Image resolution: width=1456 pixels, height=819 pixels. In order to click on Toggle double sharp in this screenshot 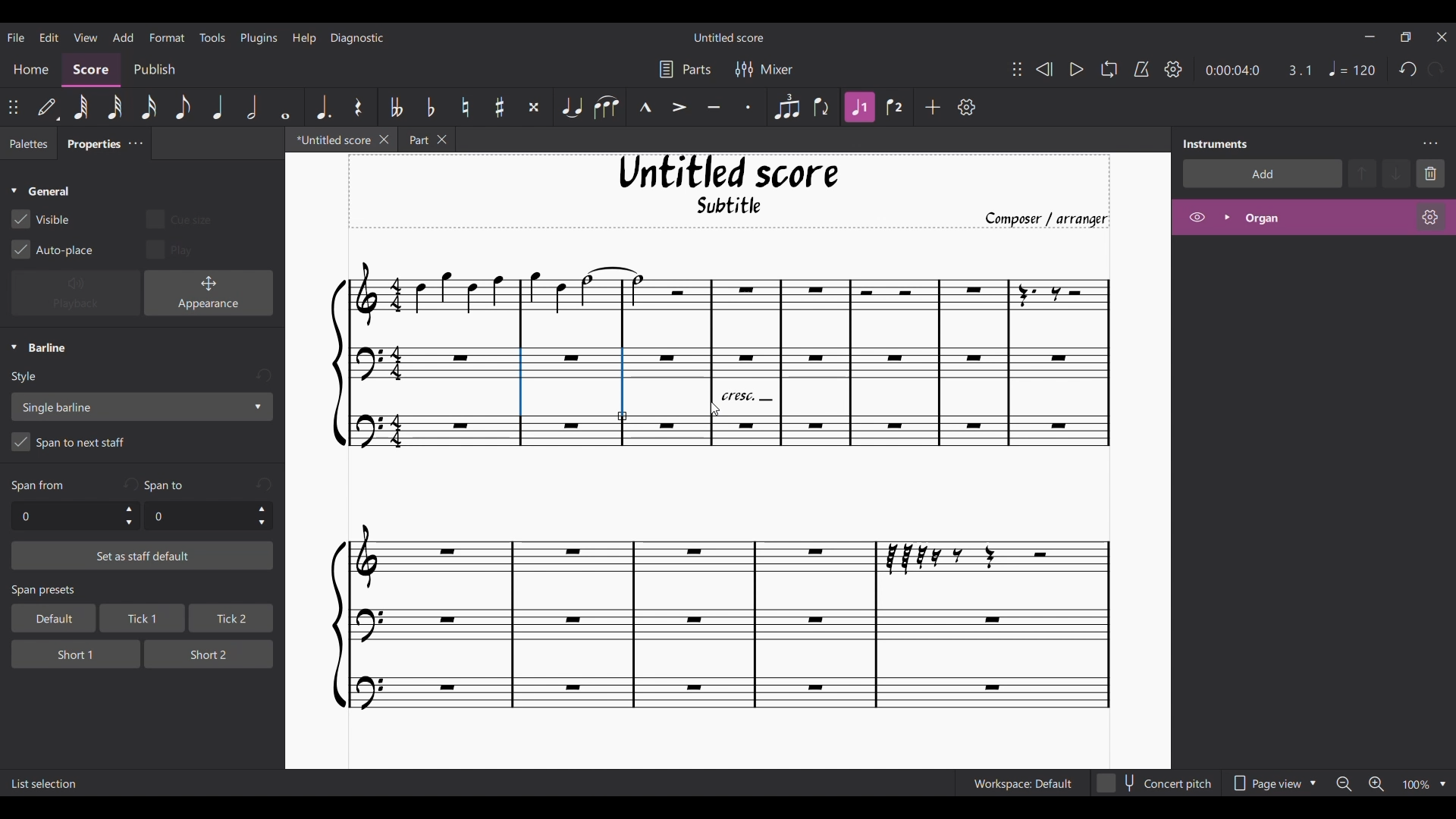, I will do `click(534, 108)`.